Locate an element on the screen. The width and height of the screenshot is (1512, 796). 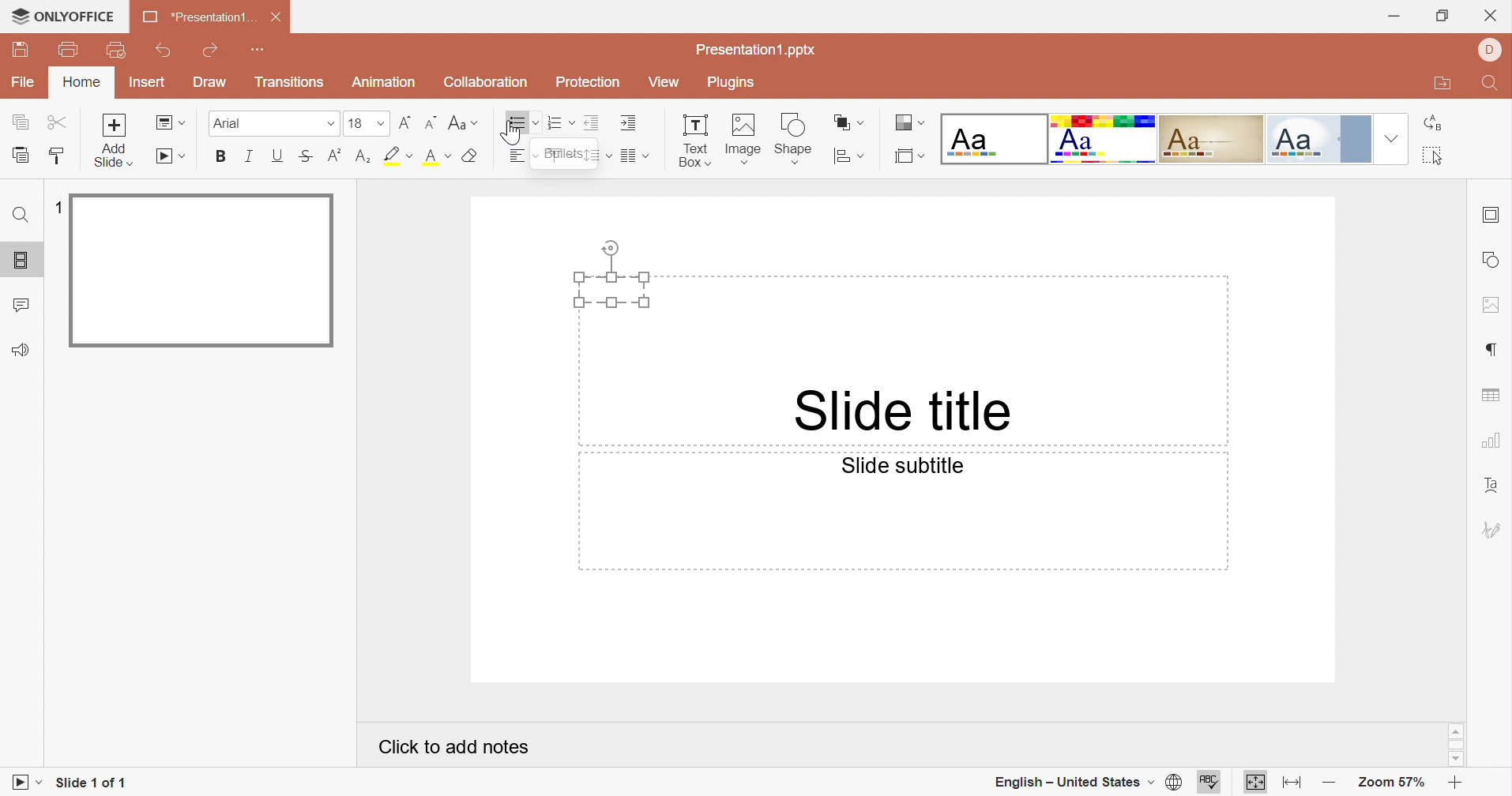
Increment font size is located at coordinates (405, 122).